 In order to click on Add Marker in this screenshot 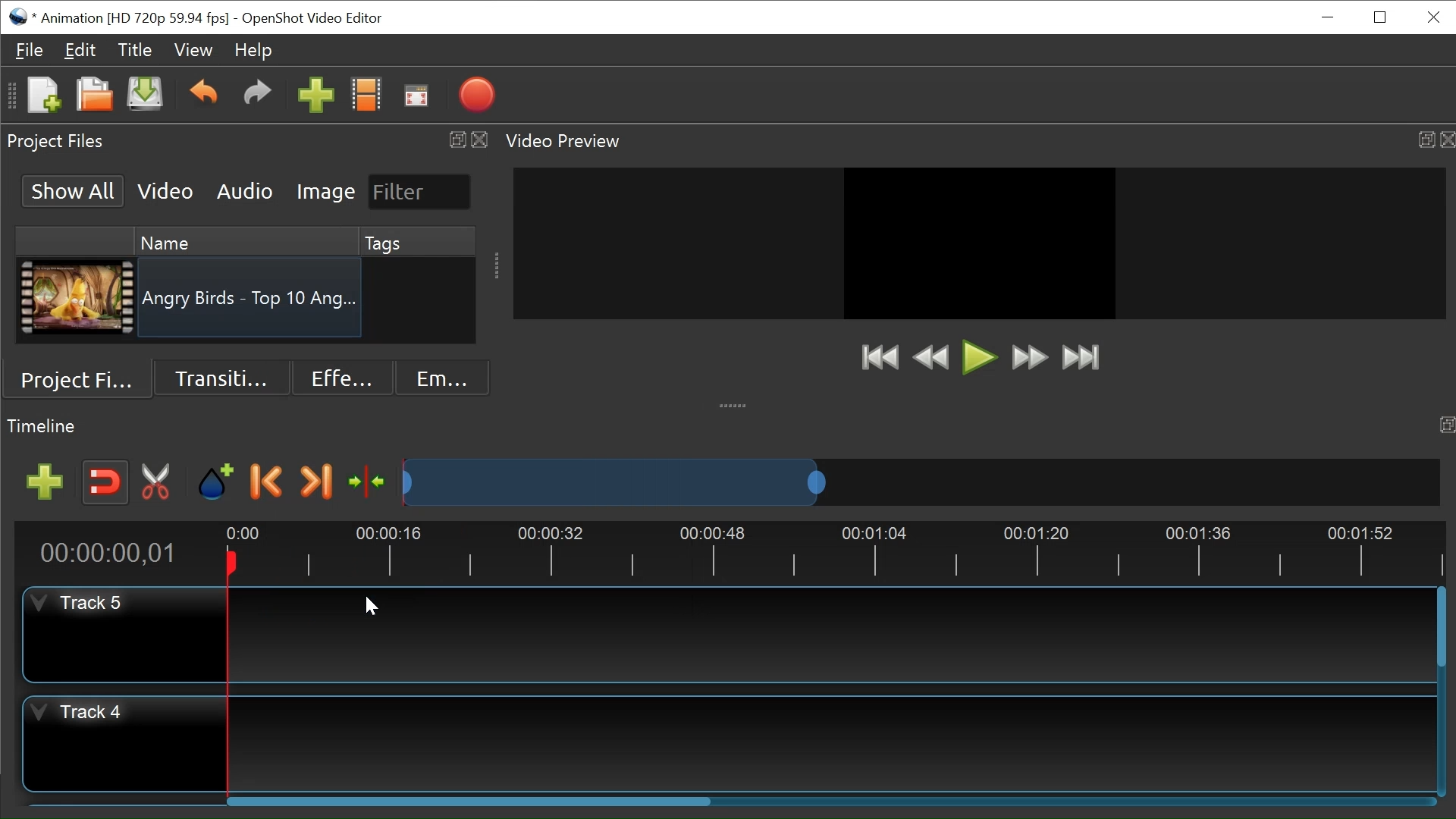, I will do `click(215, 481)`.